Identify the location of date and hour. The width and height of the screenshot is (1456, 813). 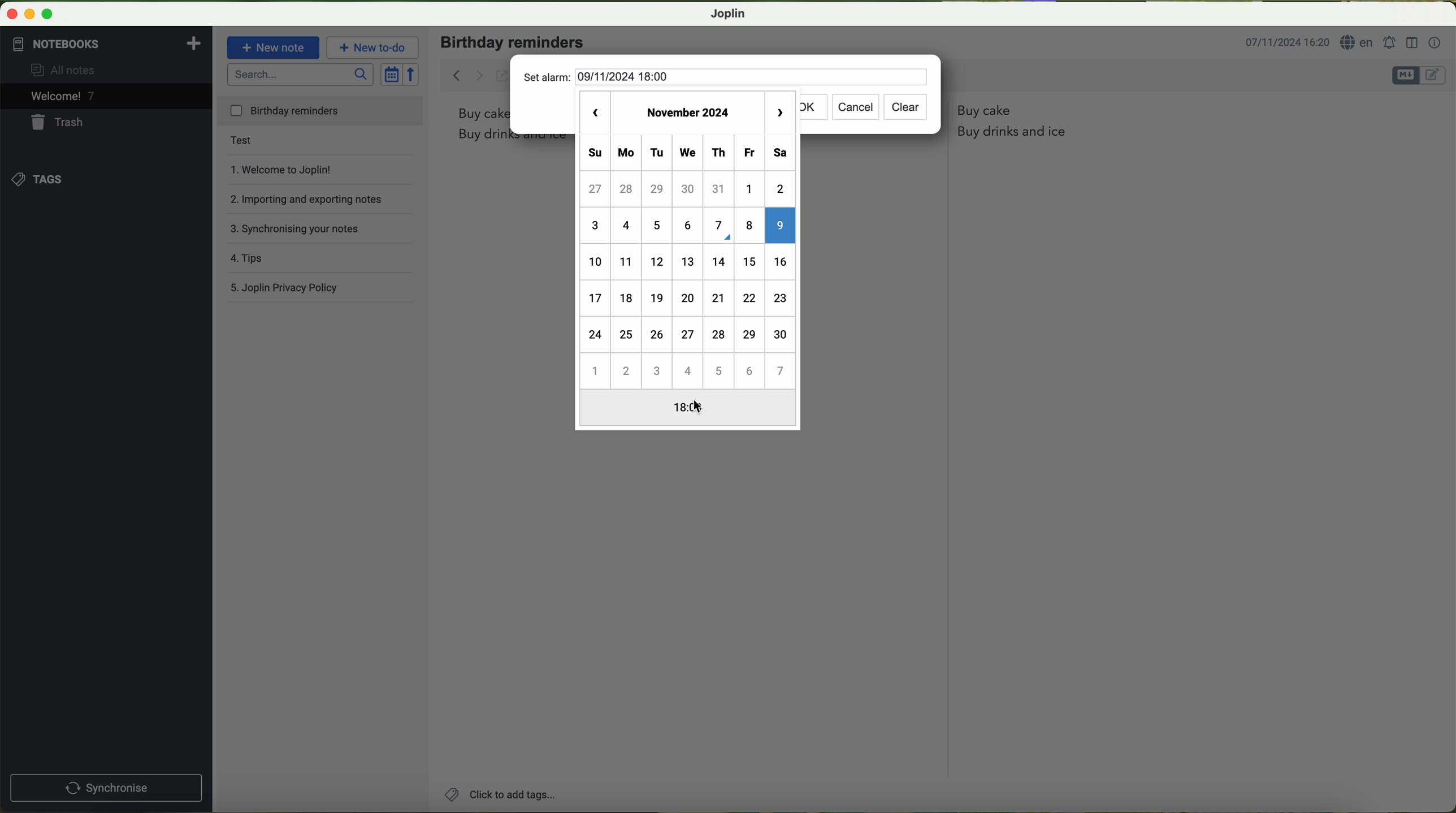
(1288, 42).